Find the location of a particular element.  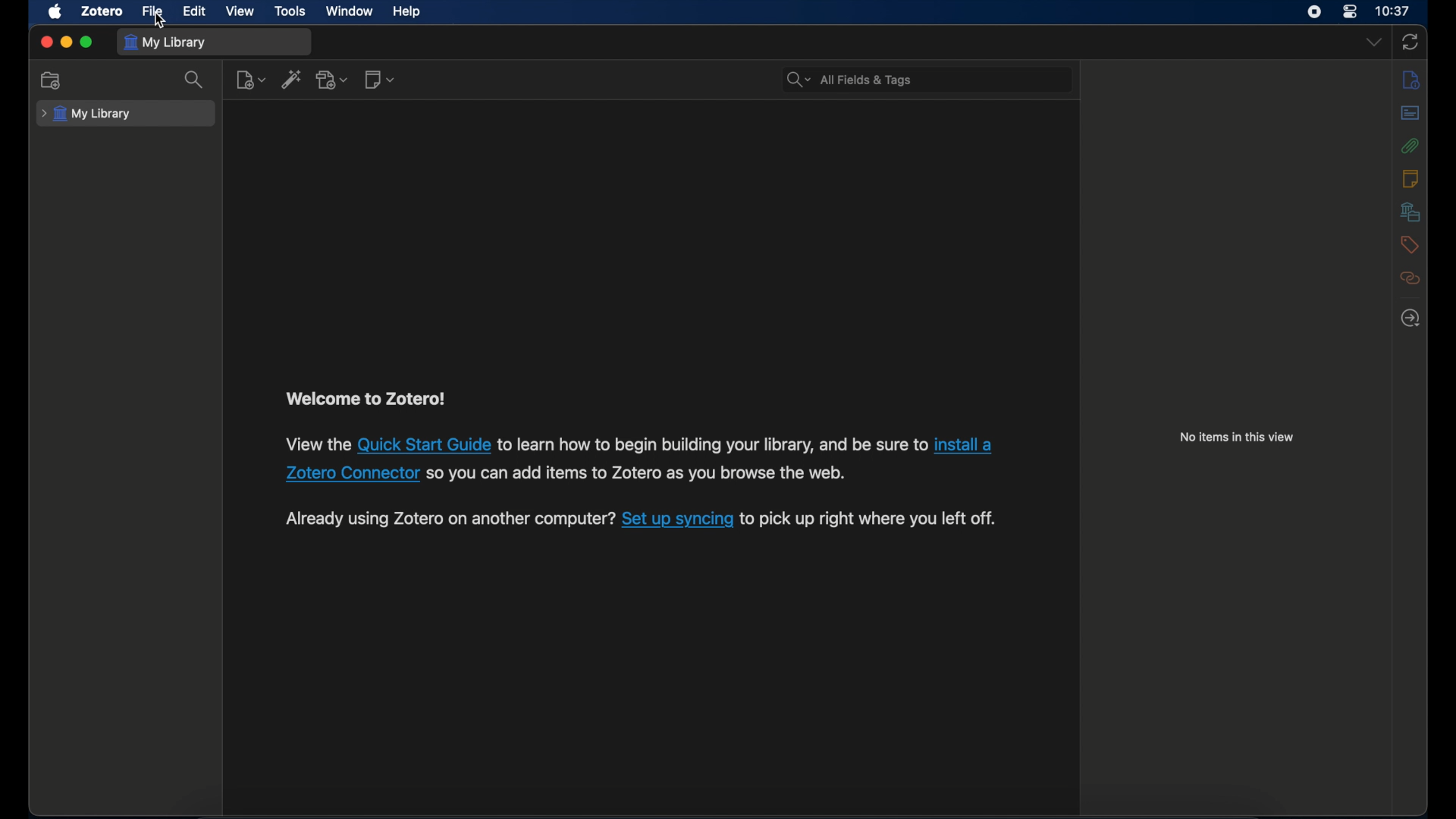

add item  by identifier is located at coordinates (292, 81).